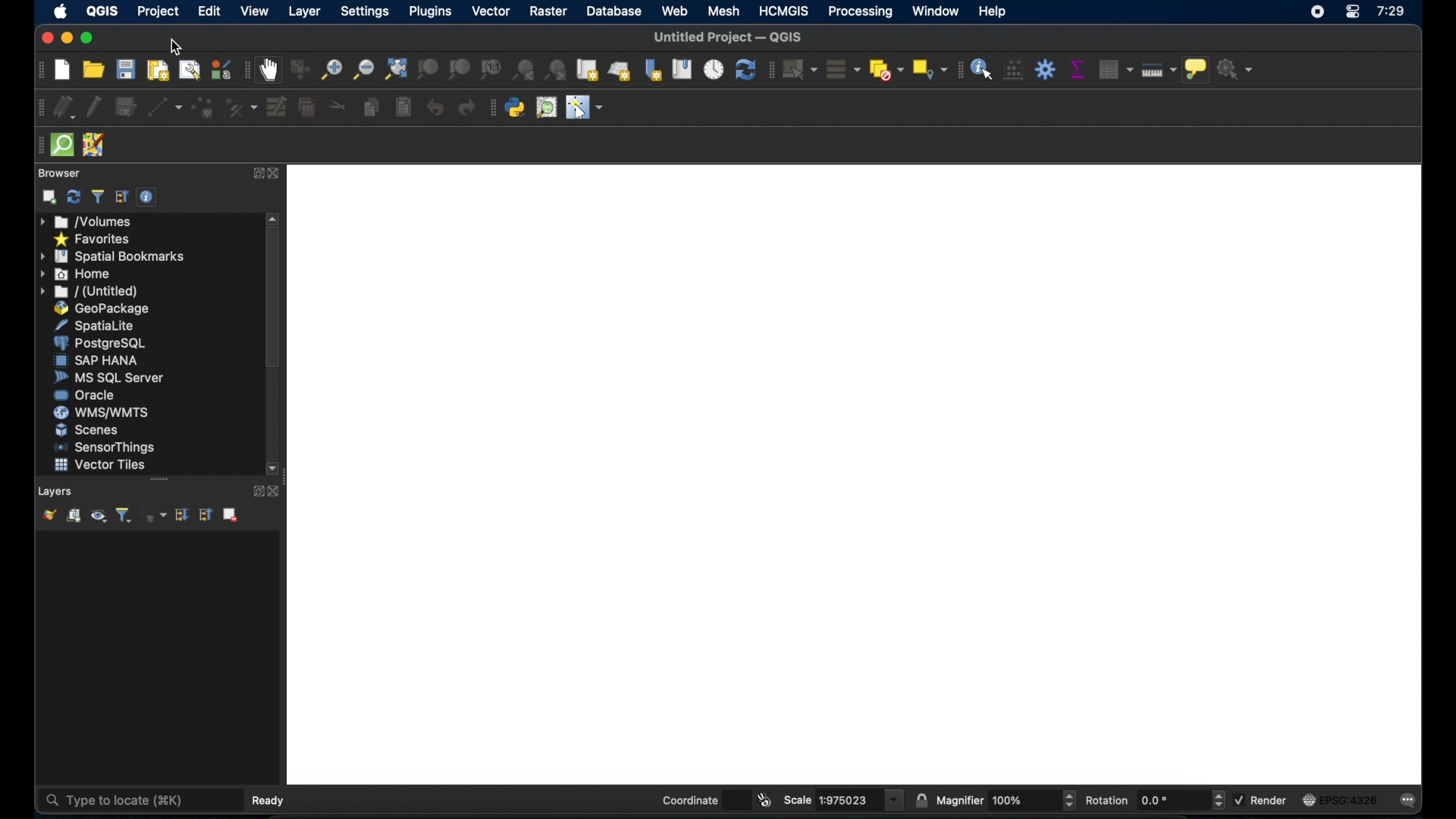  What do you see at coordinates (1072, 800) in the screenshot?
I see `` at bounding box center [1072, 800].